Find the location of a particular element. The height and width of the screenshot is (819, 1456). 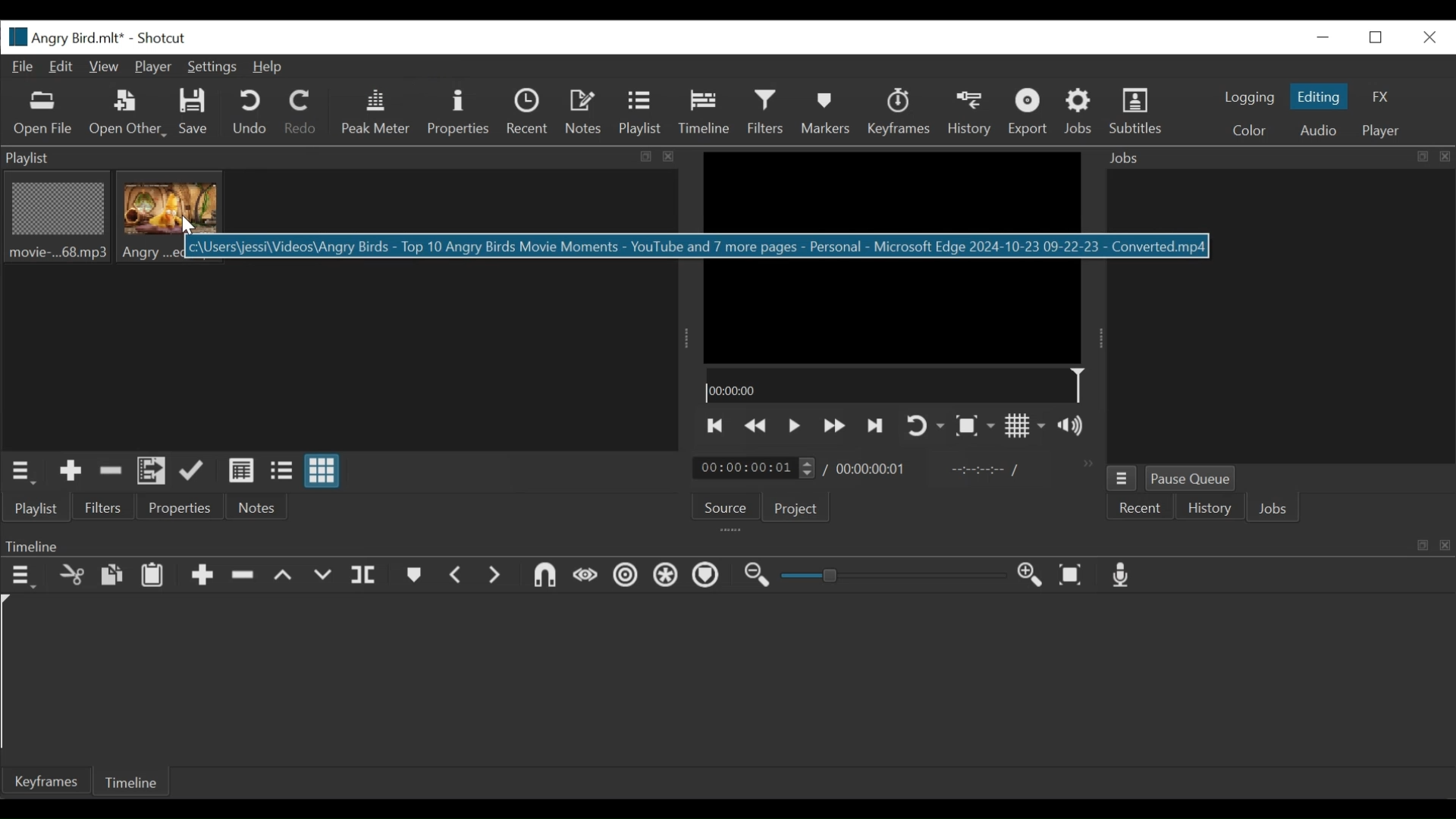

minimize is located at coordinates (1320, 38).